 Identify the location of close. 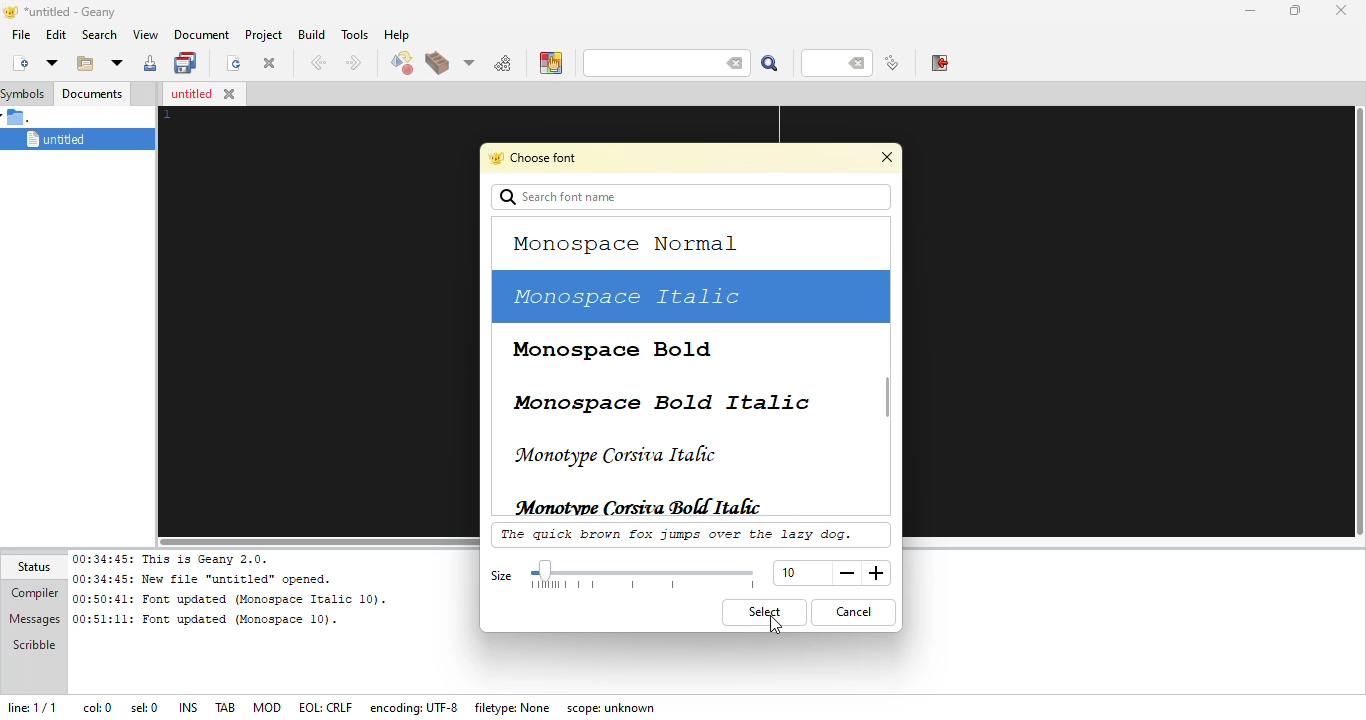
(269, 64).